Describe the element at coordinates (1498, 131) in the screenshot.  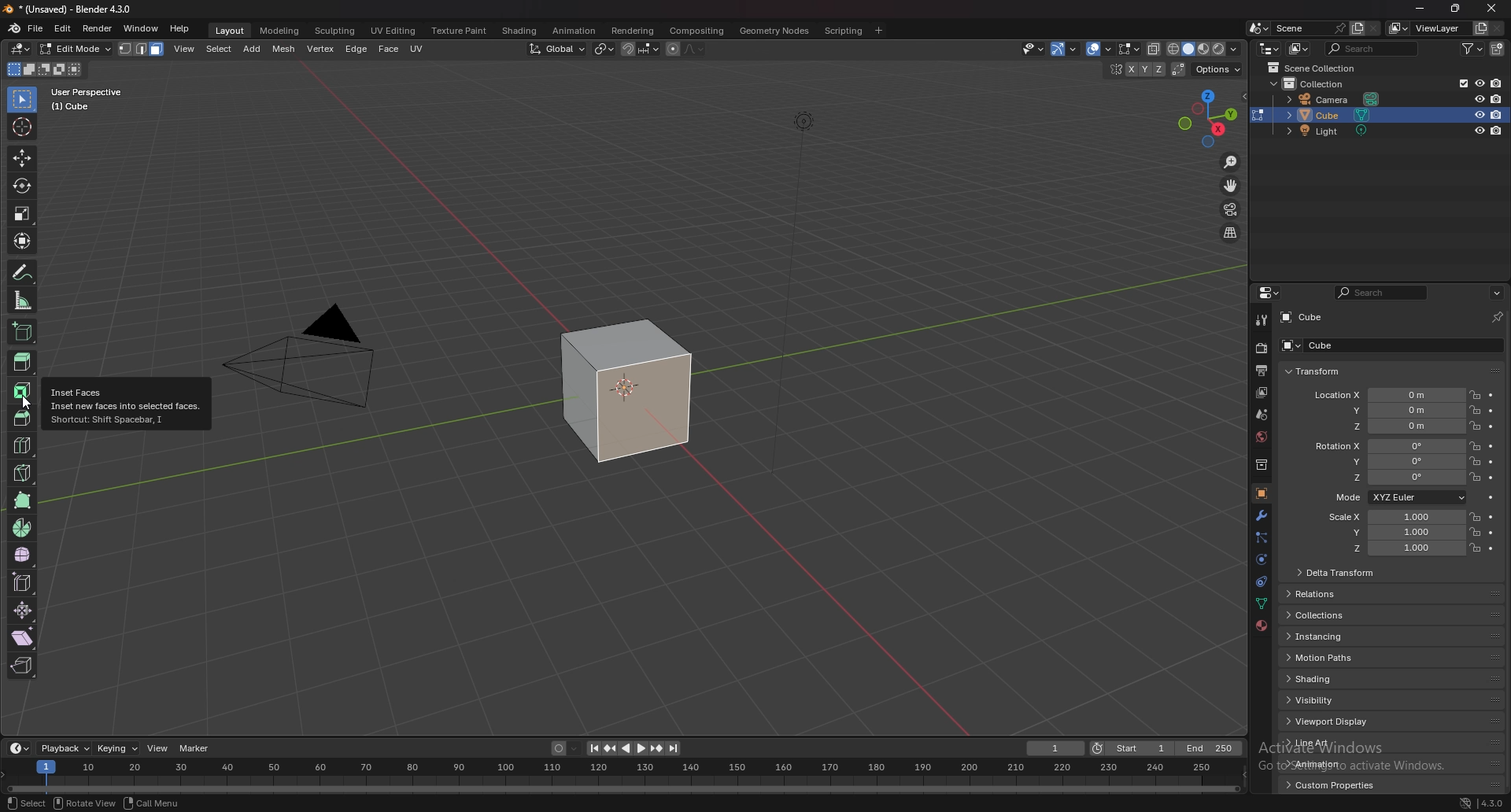
I see `disable in render` at that location.